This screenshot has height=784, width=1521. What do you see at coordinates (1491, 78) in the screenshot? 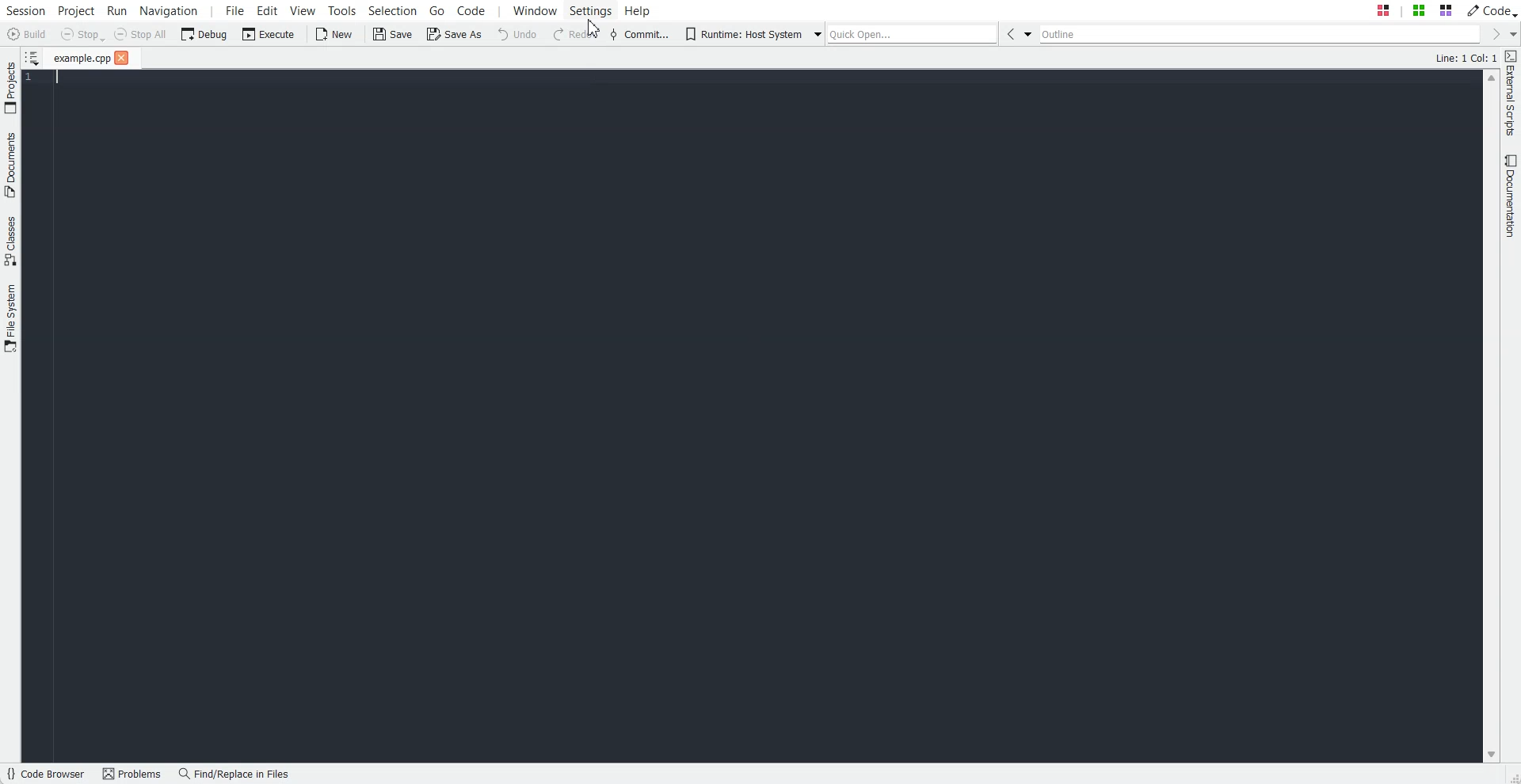
I see `Scroll up` at bounding box center [1491, 78].